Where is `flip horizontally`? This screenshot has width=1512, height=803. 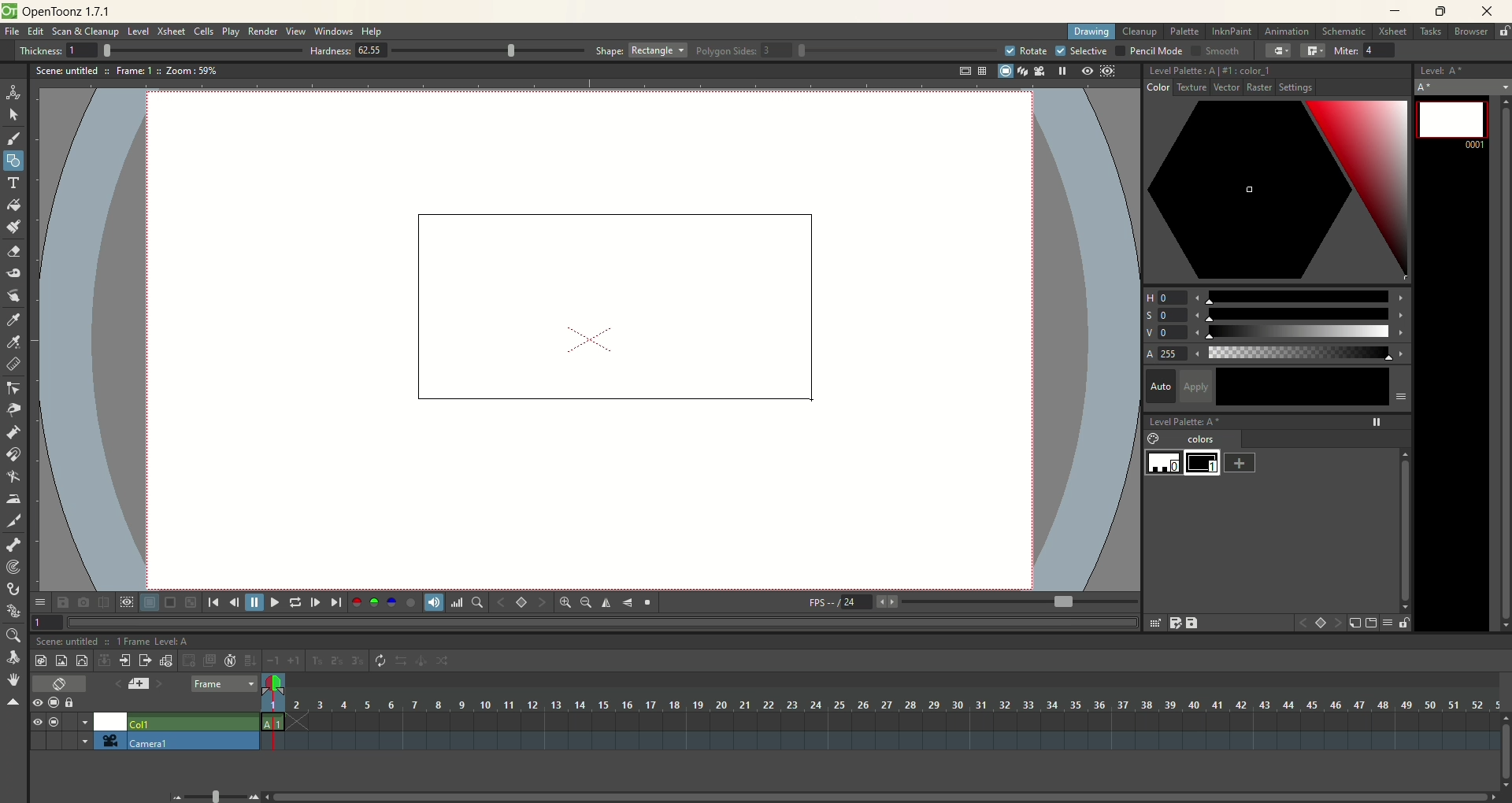 flip horizontally is located at coordinates (606, 603).